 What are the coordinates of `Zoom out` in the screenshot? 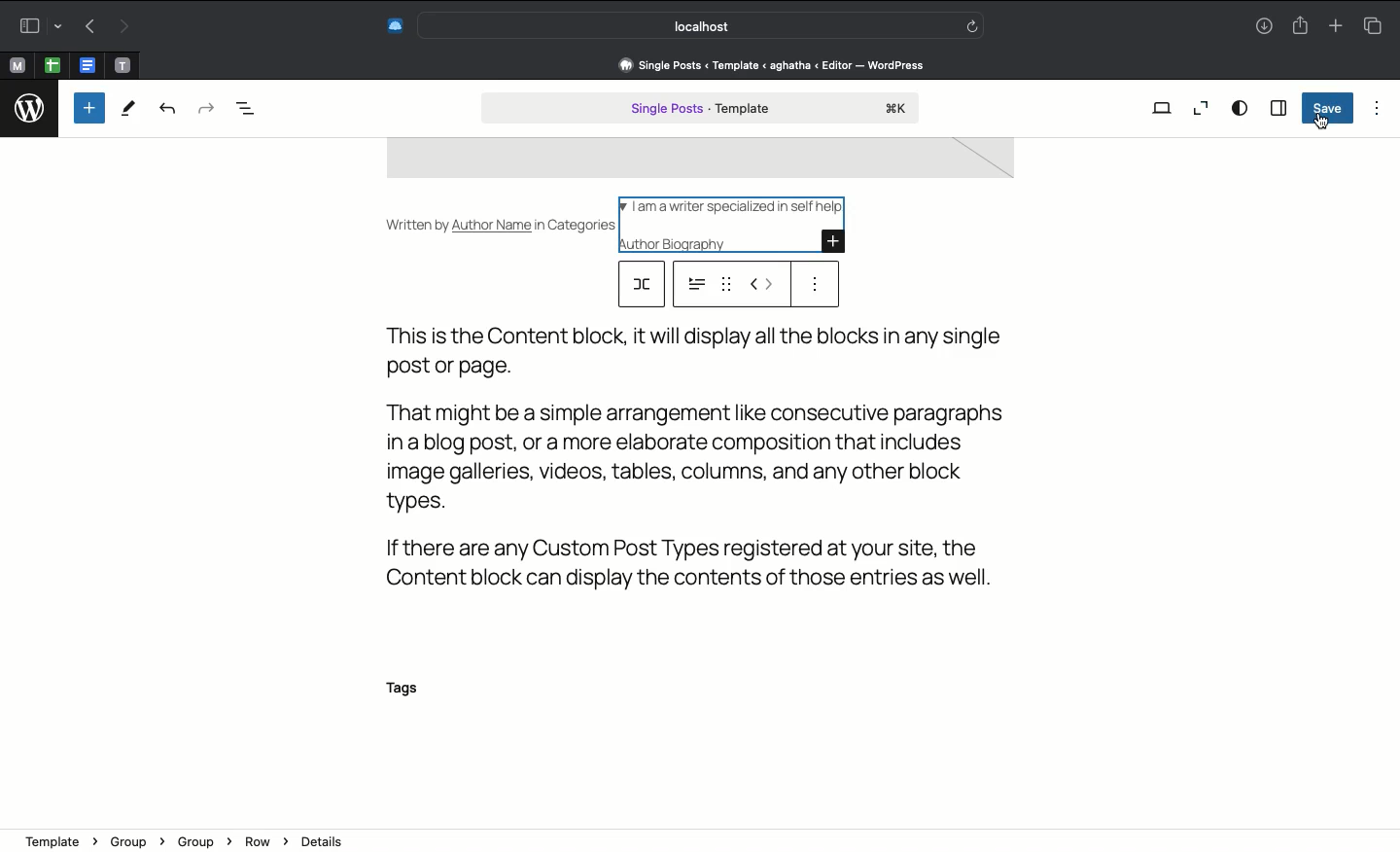 It's located at (1201, 108).